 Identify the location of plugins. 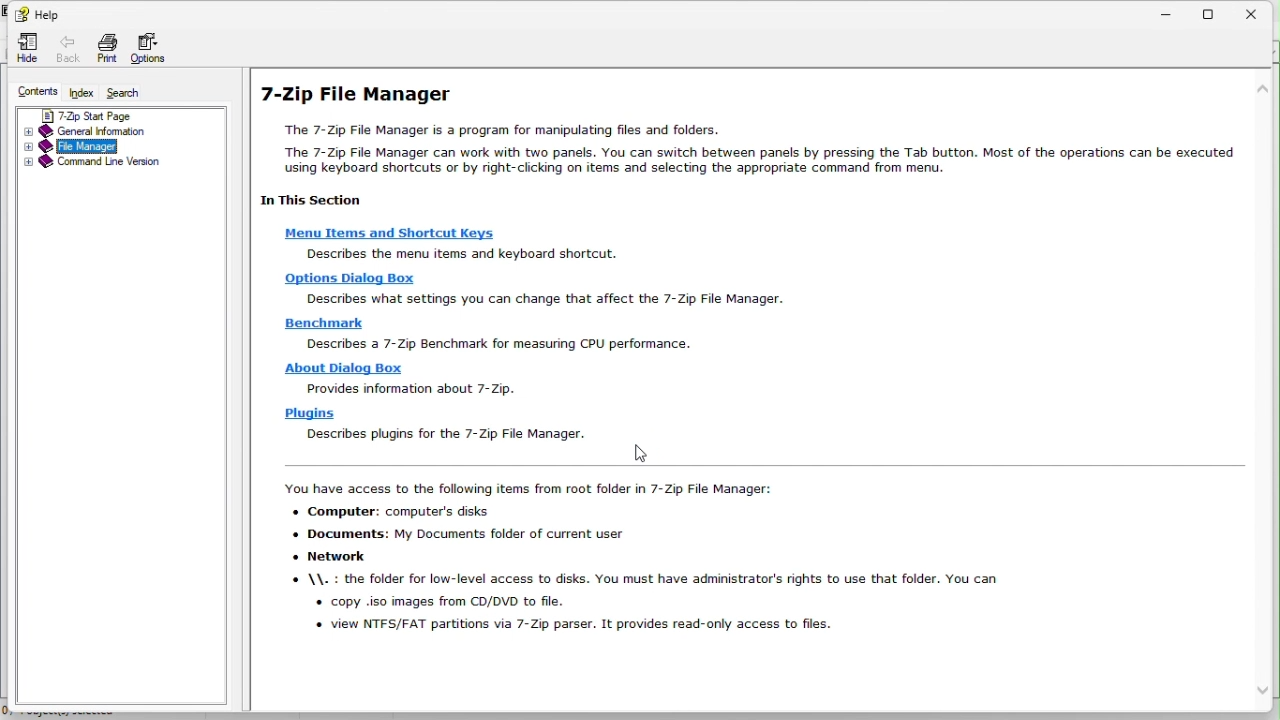
(319, 417).